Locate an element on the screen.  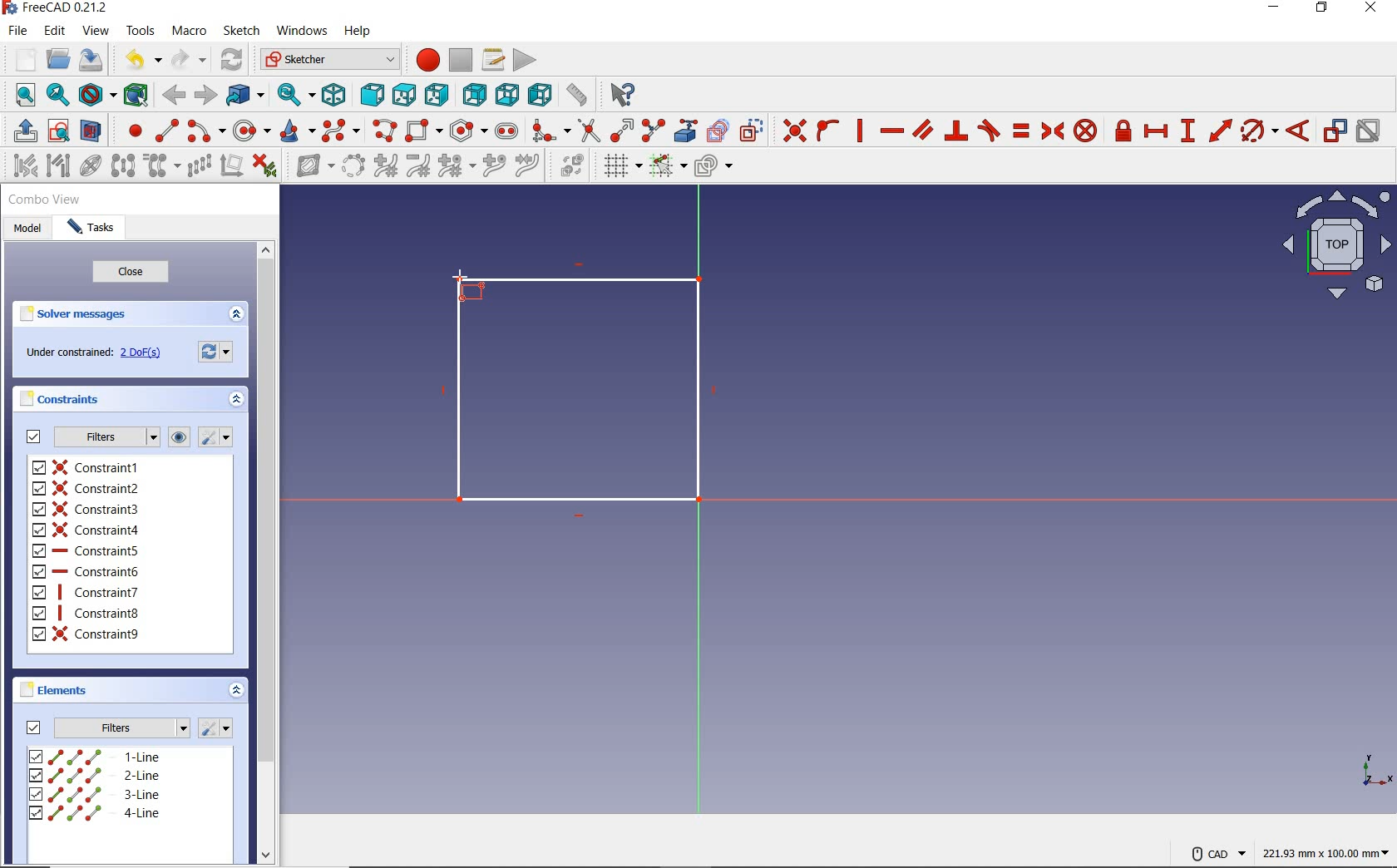
help is located at coordinates (358, 31).